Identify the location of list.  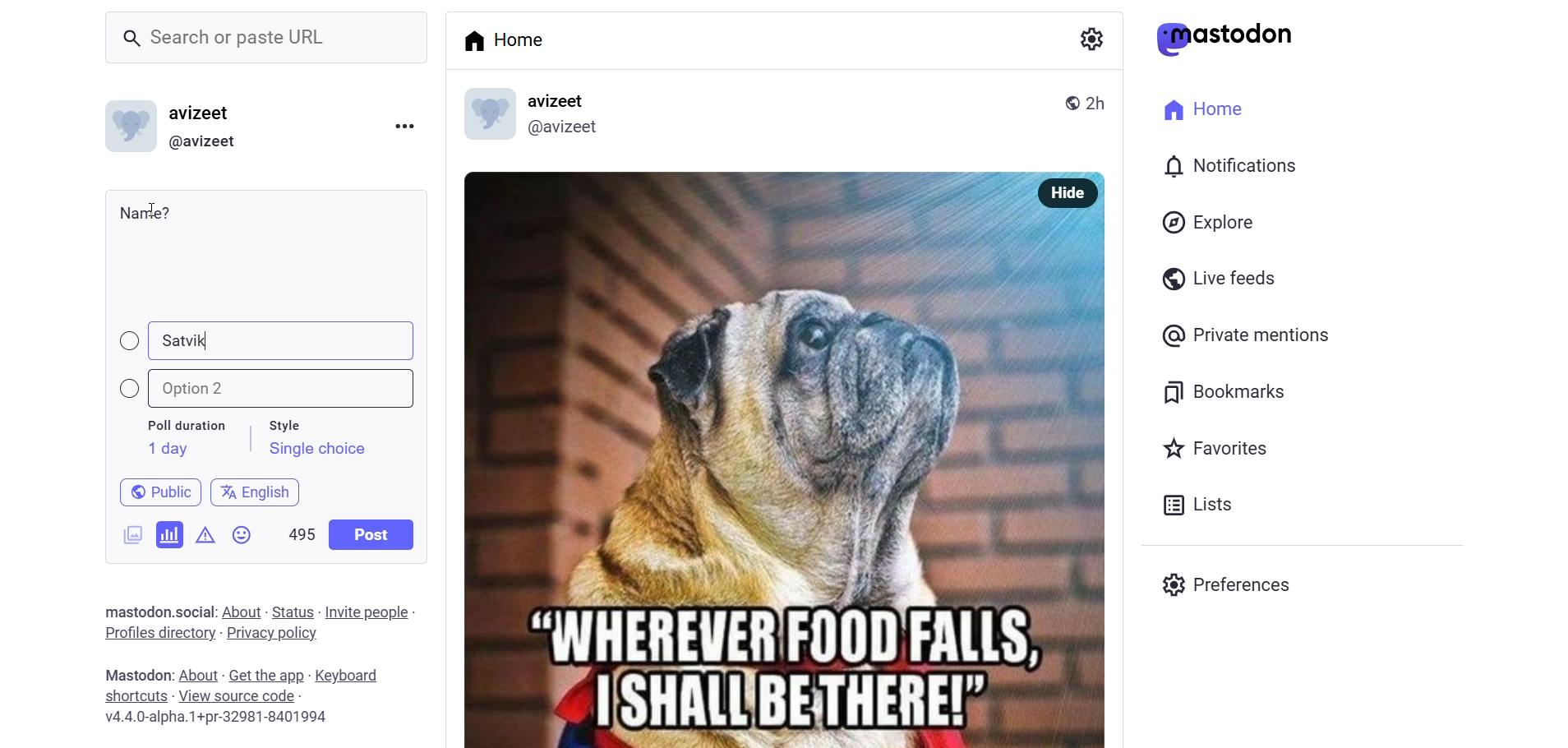
(1193, 505).